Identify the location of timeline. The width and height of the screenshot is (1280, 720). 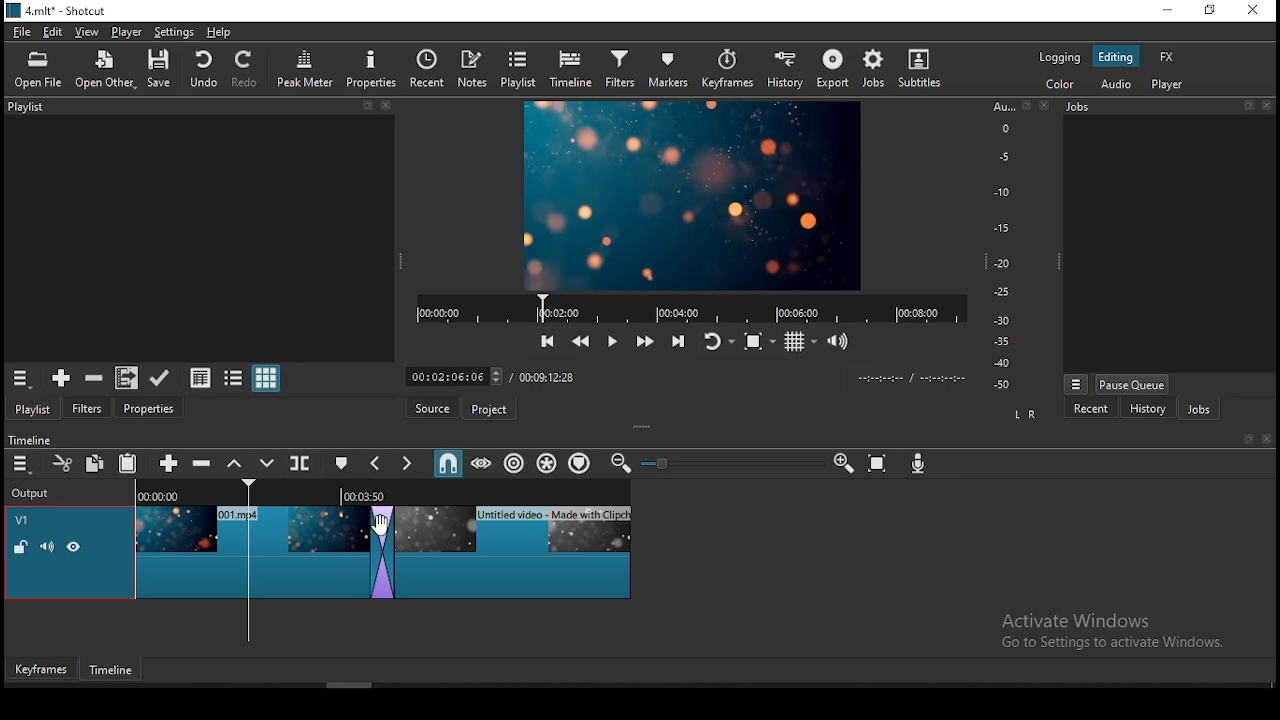
(570, 70).